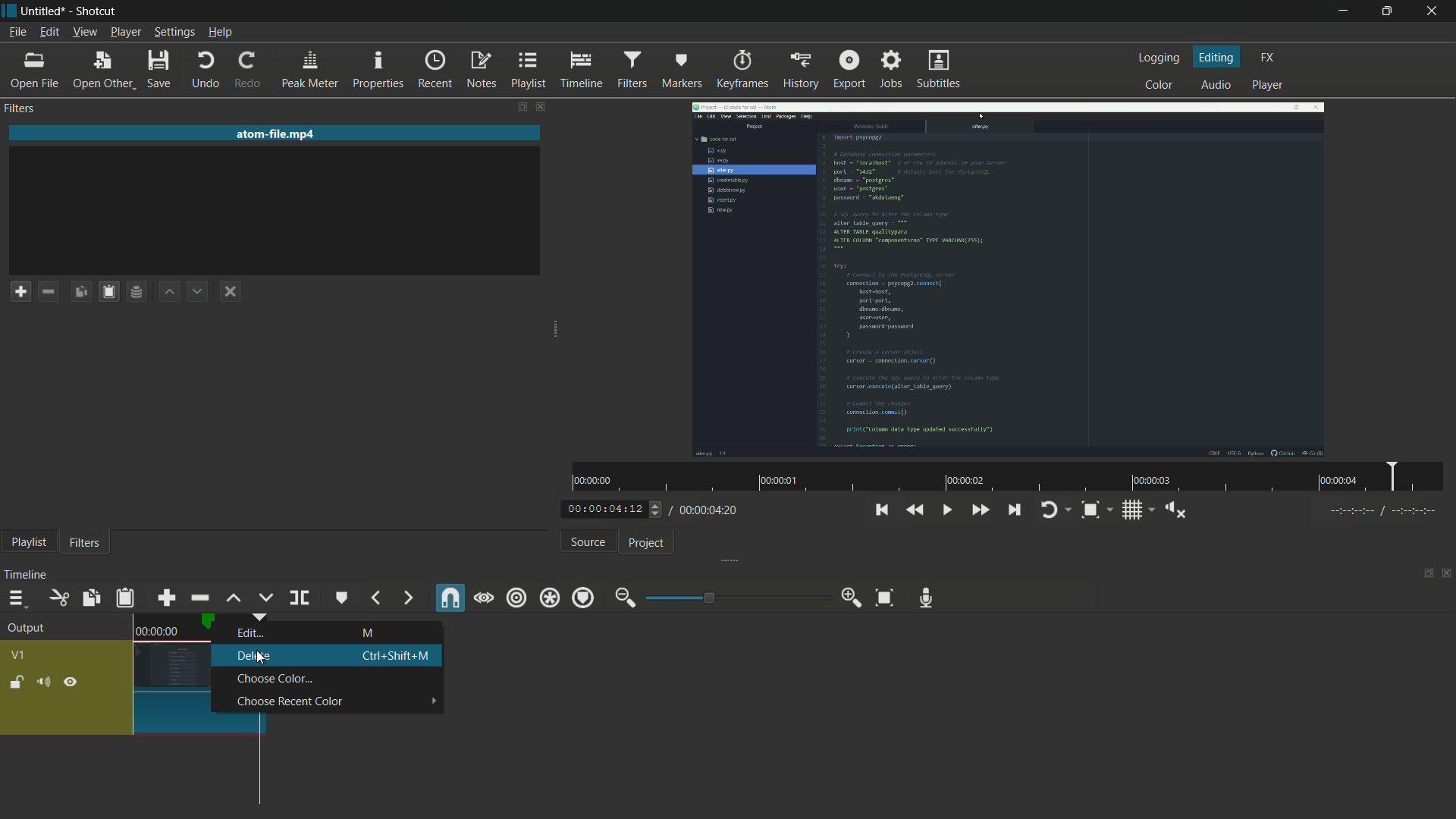  I want to click on imported video file, so click(1009, 281).